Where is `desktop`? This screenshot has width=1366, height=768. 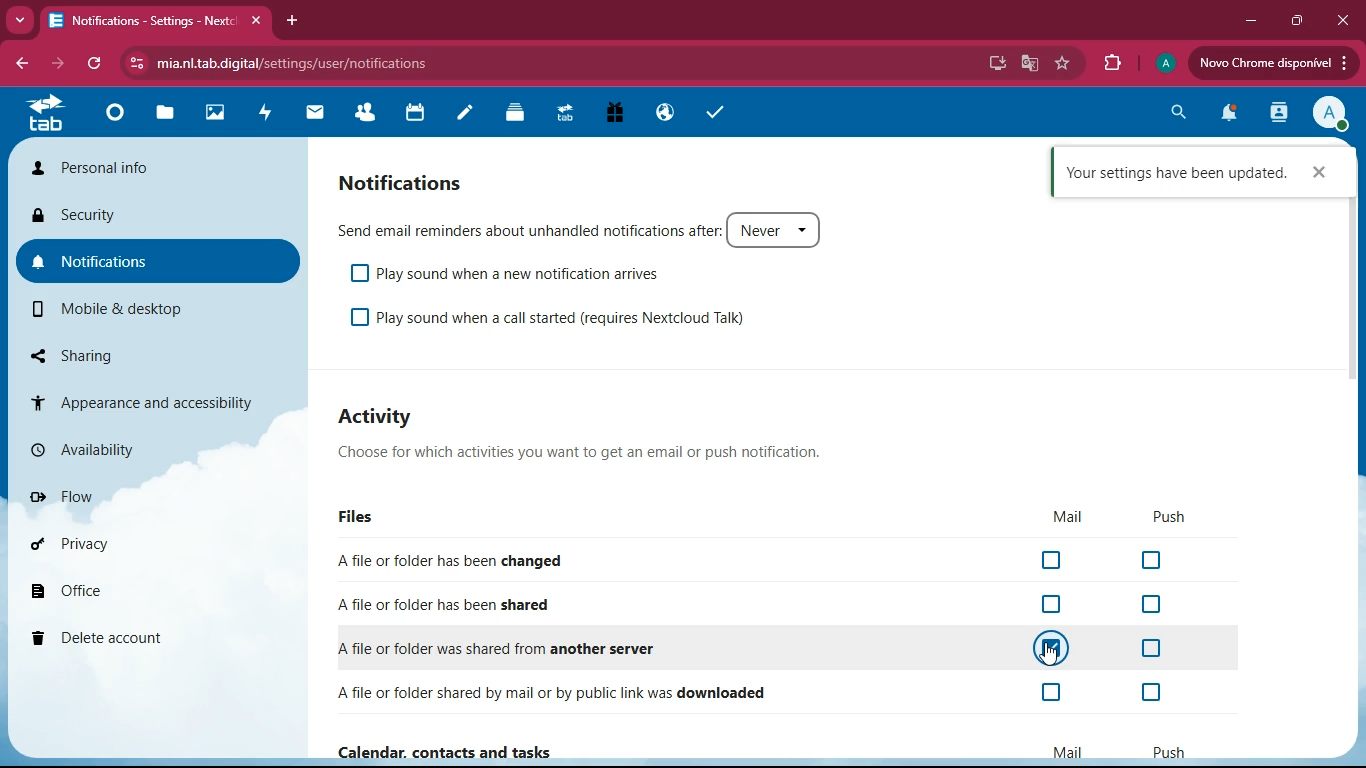
desktop is located at coordinates (992, 64).